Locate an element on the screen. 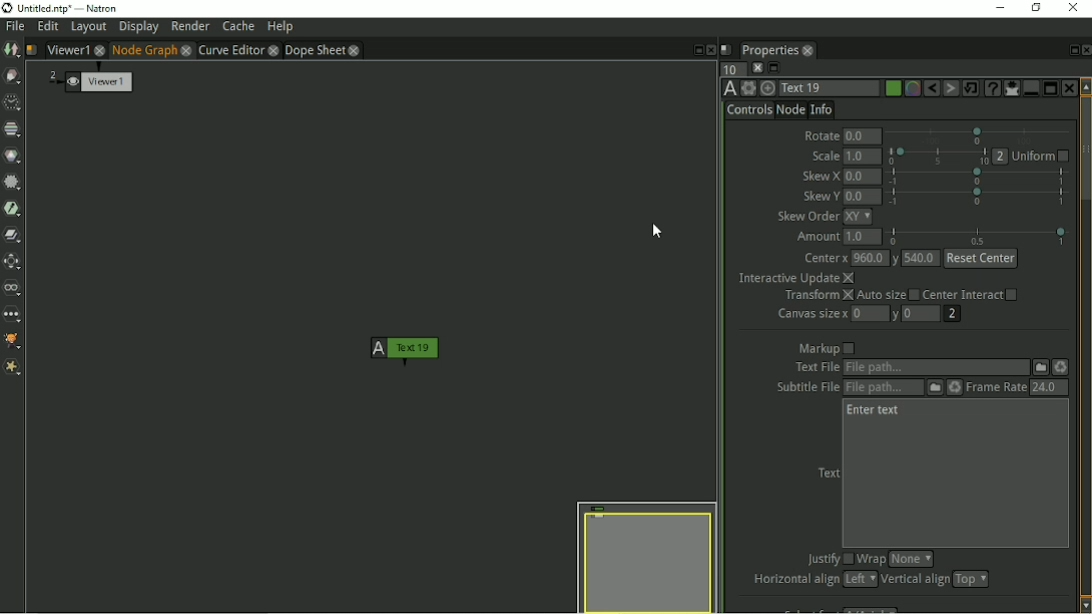 The width and height of the screenshot is (1092, 614). Dope sheet is located at coordinates (315, 51).